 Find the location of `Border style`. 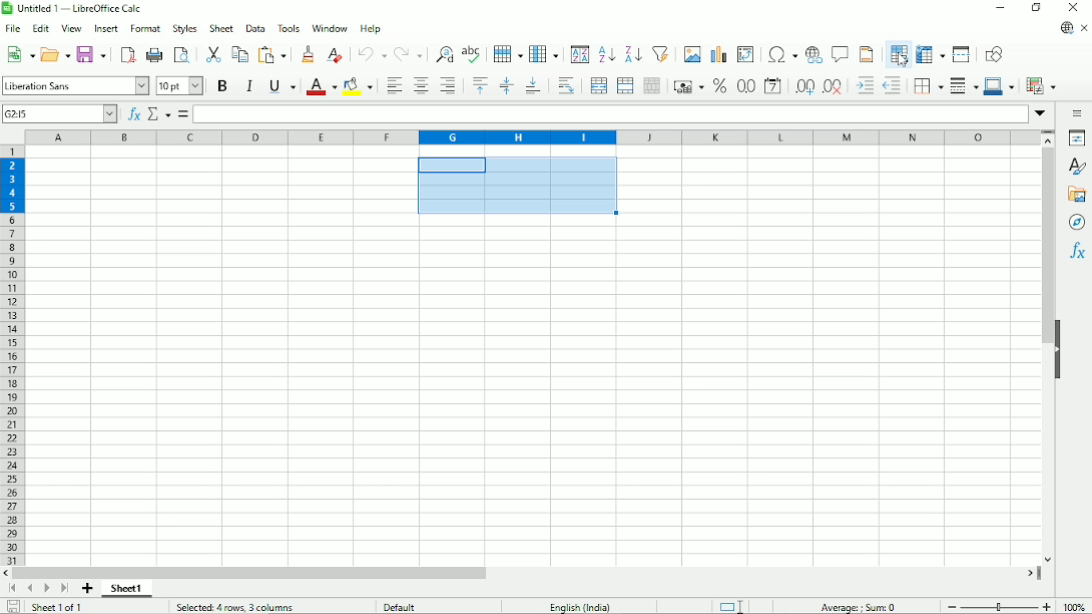

Border style is located at coordinates (964, 87).